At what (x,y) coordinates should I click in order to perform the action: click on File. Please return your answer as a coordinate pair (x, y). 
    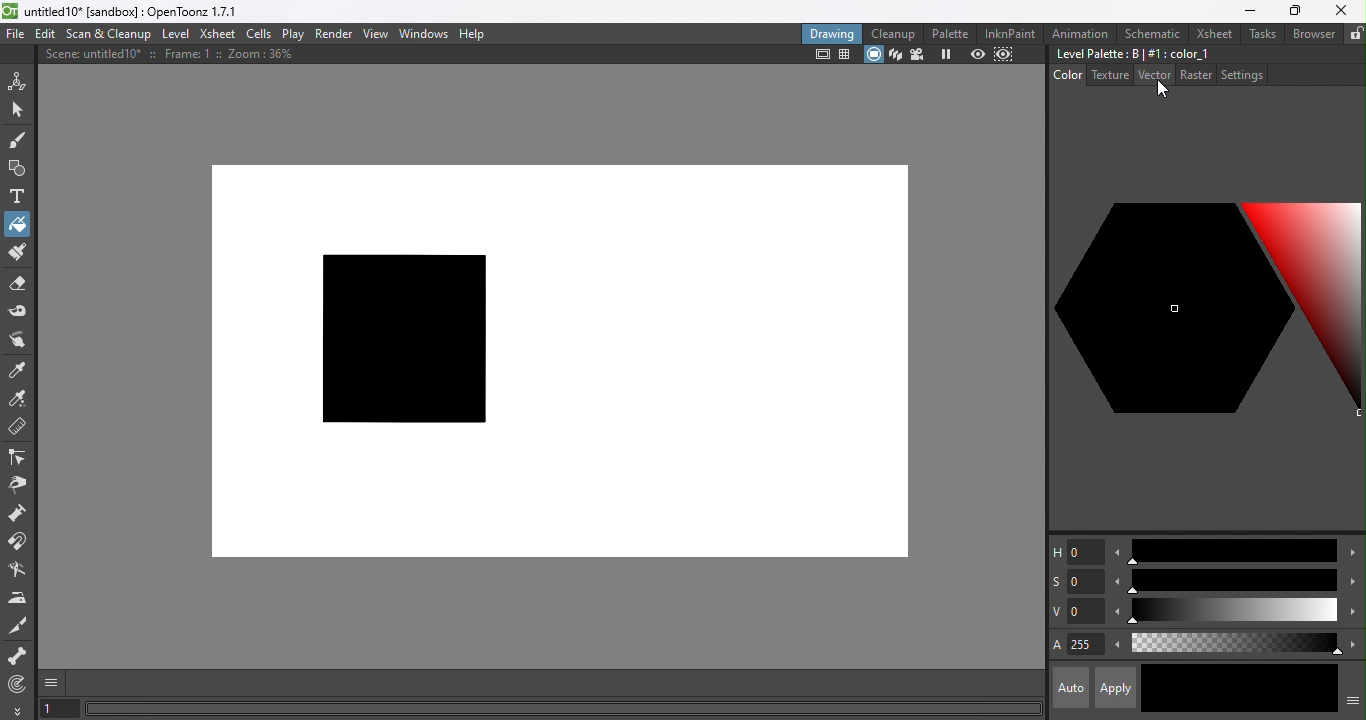
    Looking at the image, I should click on (16, 35).